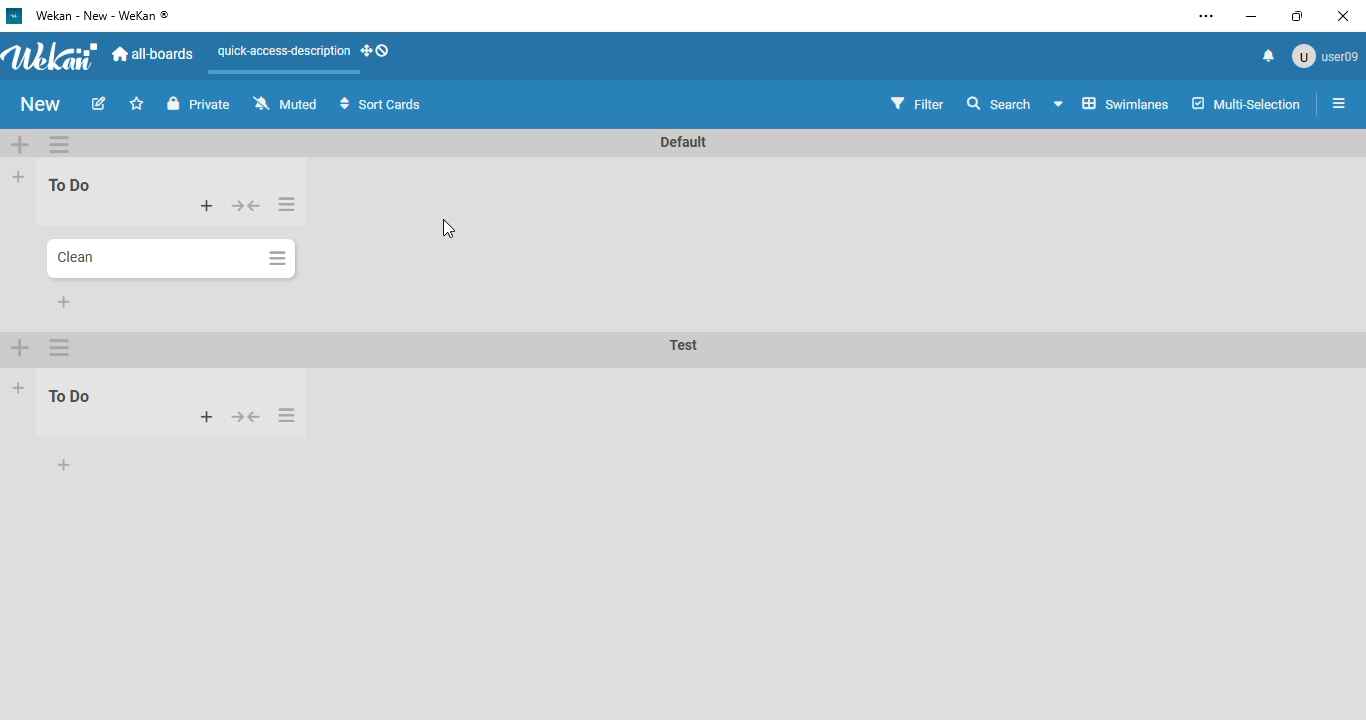  I want to click on logo, so click(15, 15).